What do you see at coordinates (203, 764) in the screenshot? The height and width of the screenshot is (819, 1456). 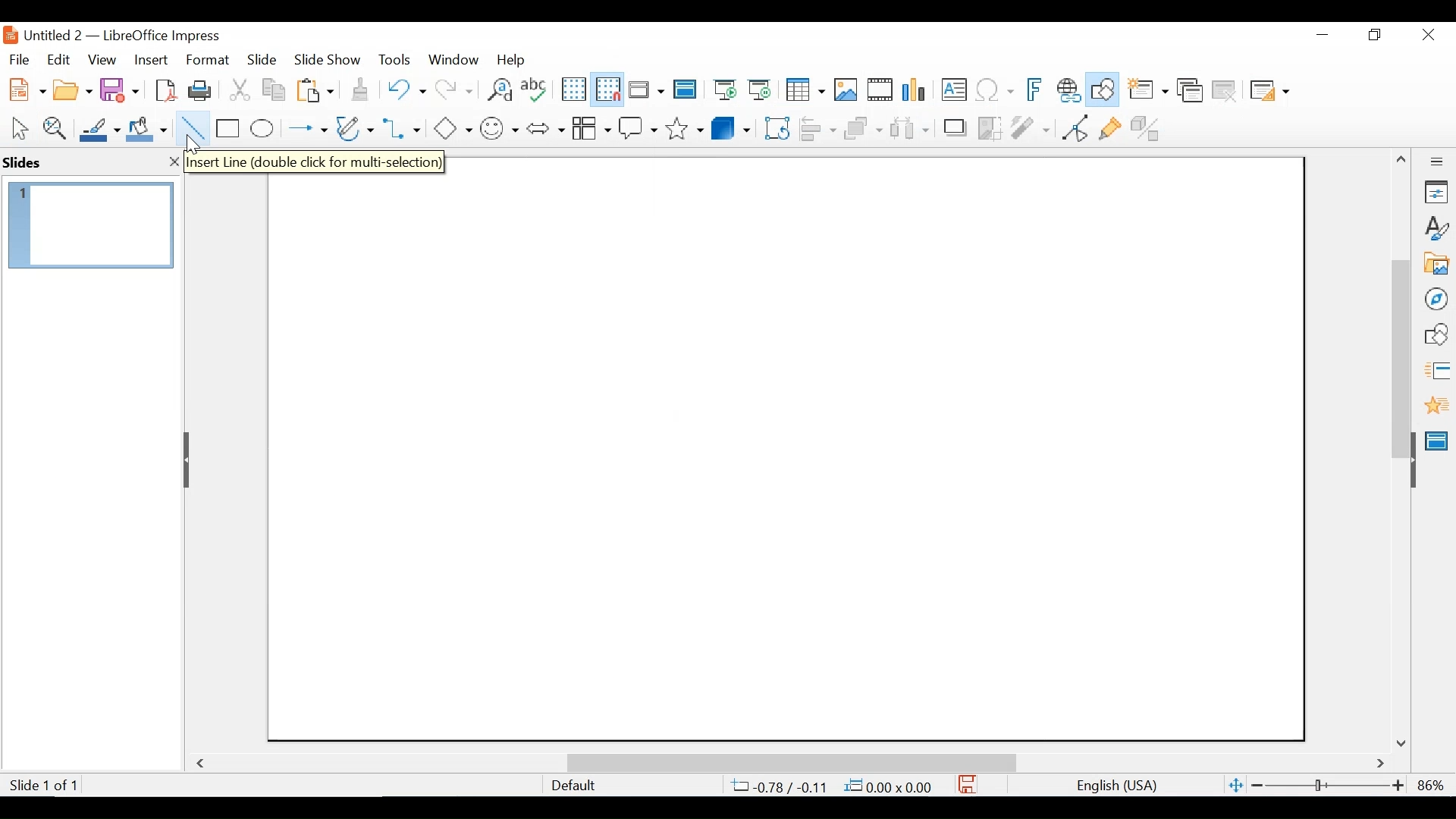 I see `Scroll Left` at bounding box center [203, 764].